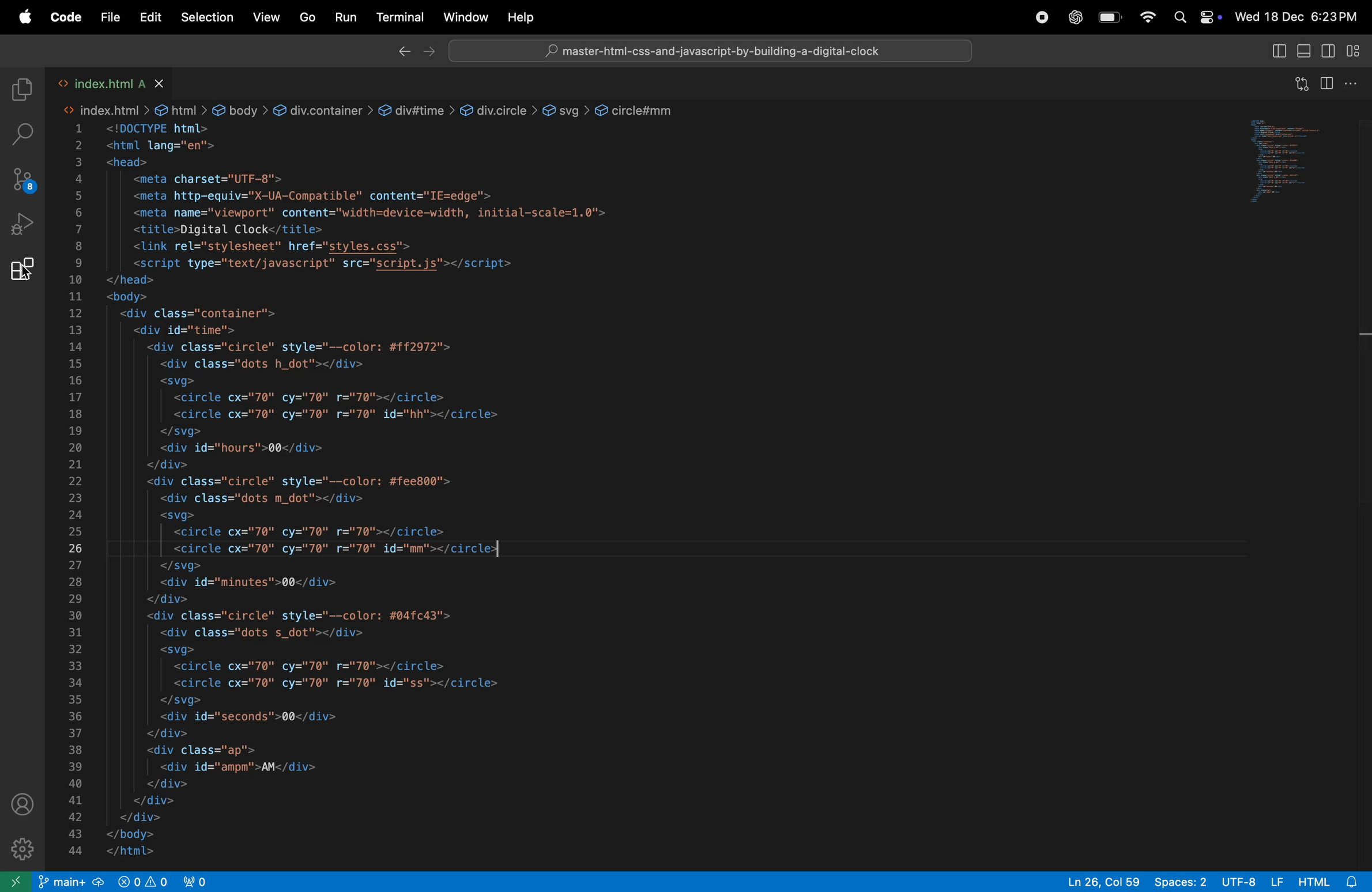 The height and width of the screenshot is (892, 1372). What do you see at coordinates (1328, 882) in the screenshot?
I see `html alert` at bounding box center [1328, 882].